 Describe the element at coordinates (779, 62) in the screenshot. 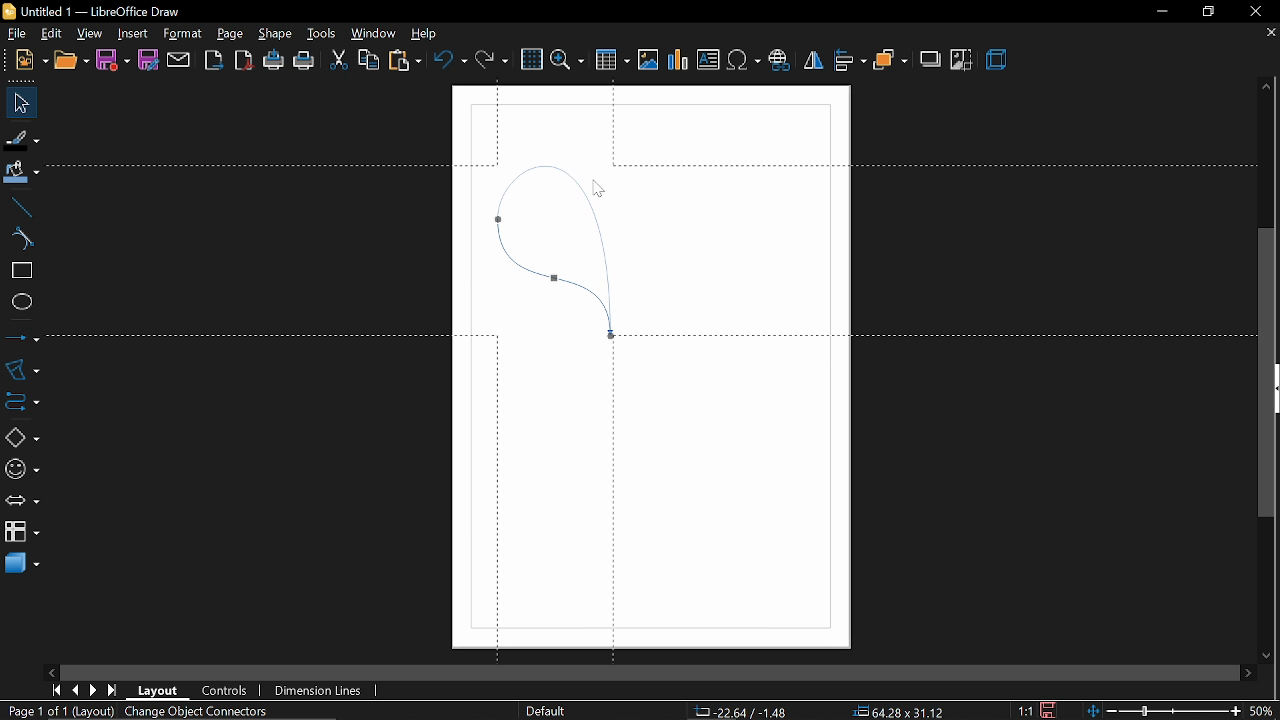

I see `Insert hyperlink` at that location.